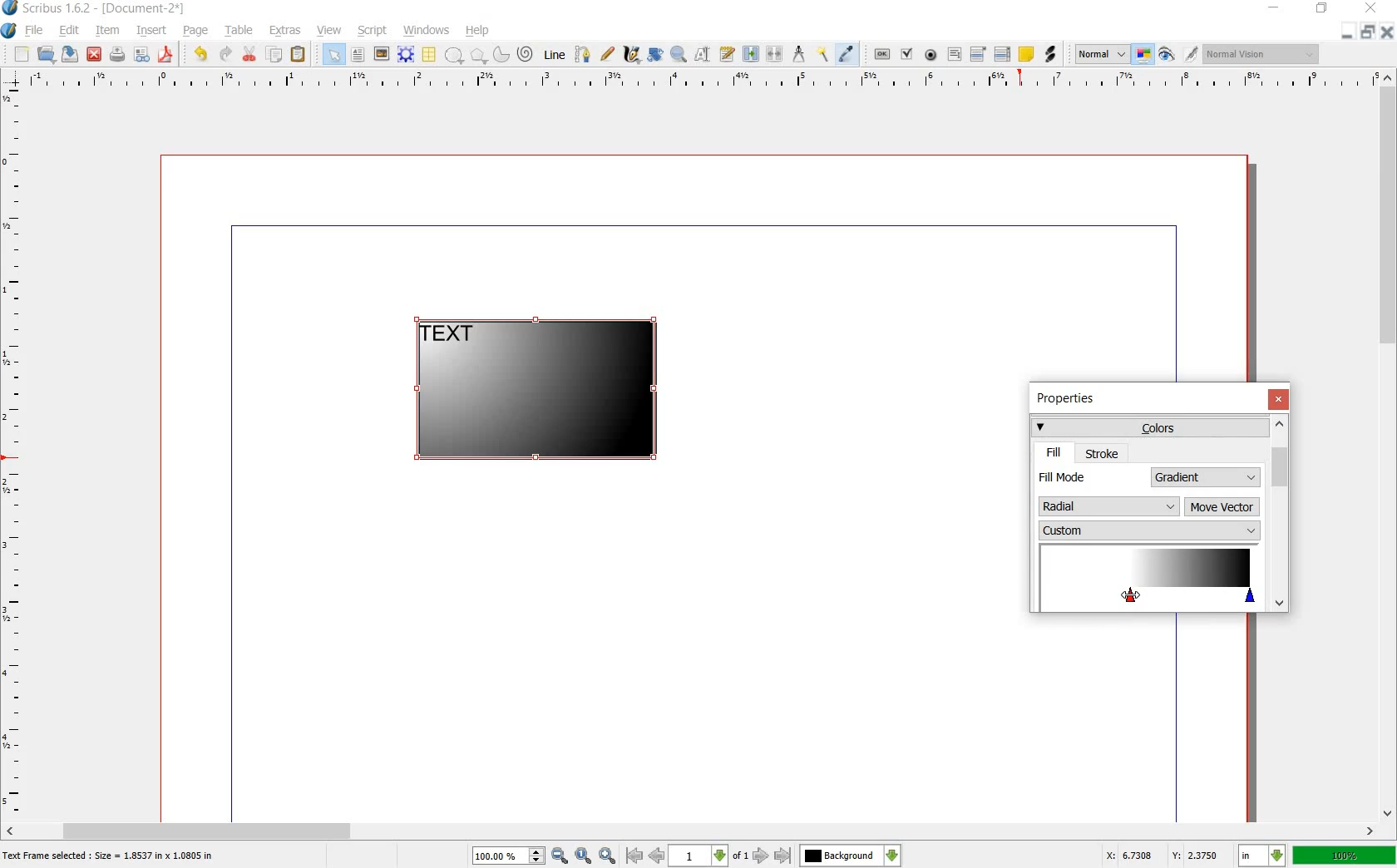 The image size is (1397, 868). What do you see at coordinates (726, 54) in the screenshot?
I see `edit text with story editor` at bounding box center [726, 54].